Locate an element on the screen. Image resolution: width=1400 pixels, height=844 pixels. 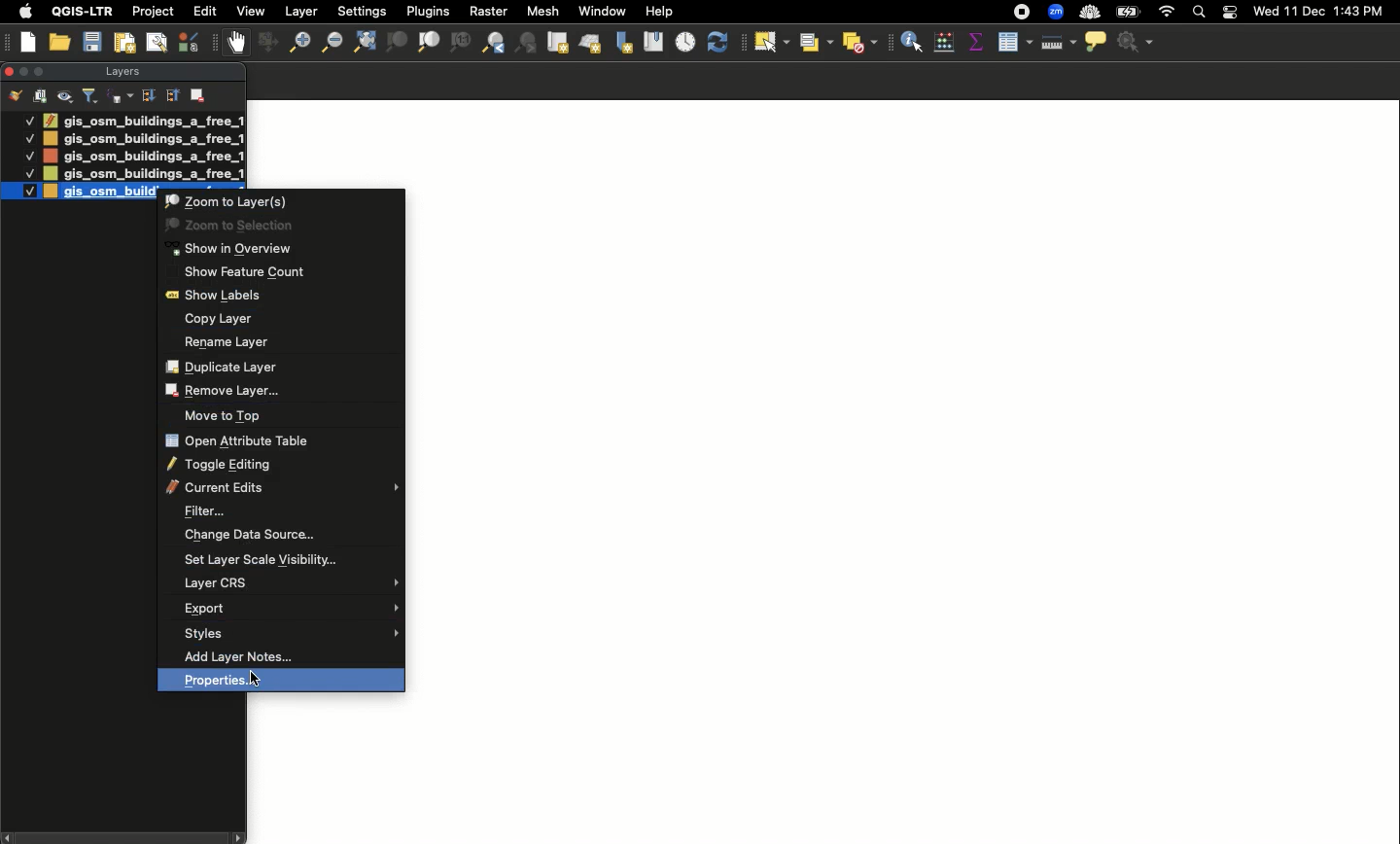
Zoom to layer(s) is located at coordinates (284, 201).